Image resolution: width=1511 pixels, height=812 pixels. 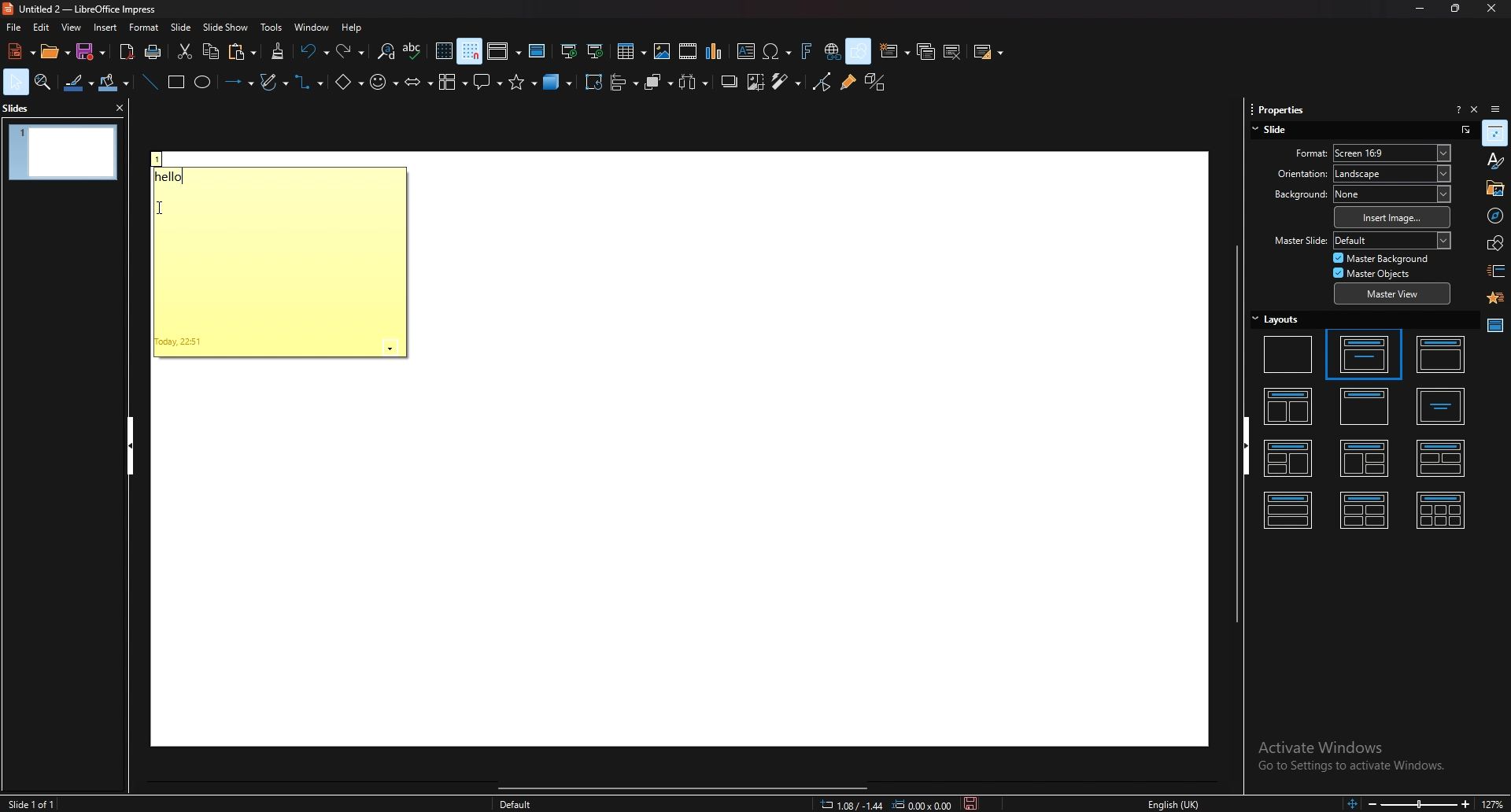 What do you see at coordinates (1494, 243) in the screenshot?
I see `shapes` at bounding box center [1494, 243].